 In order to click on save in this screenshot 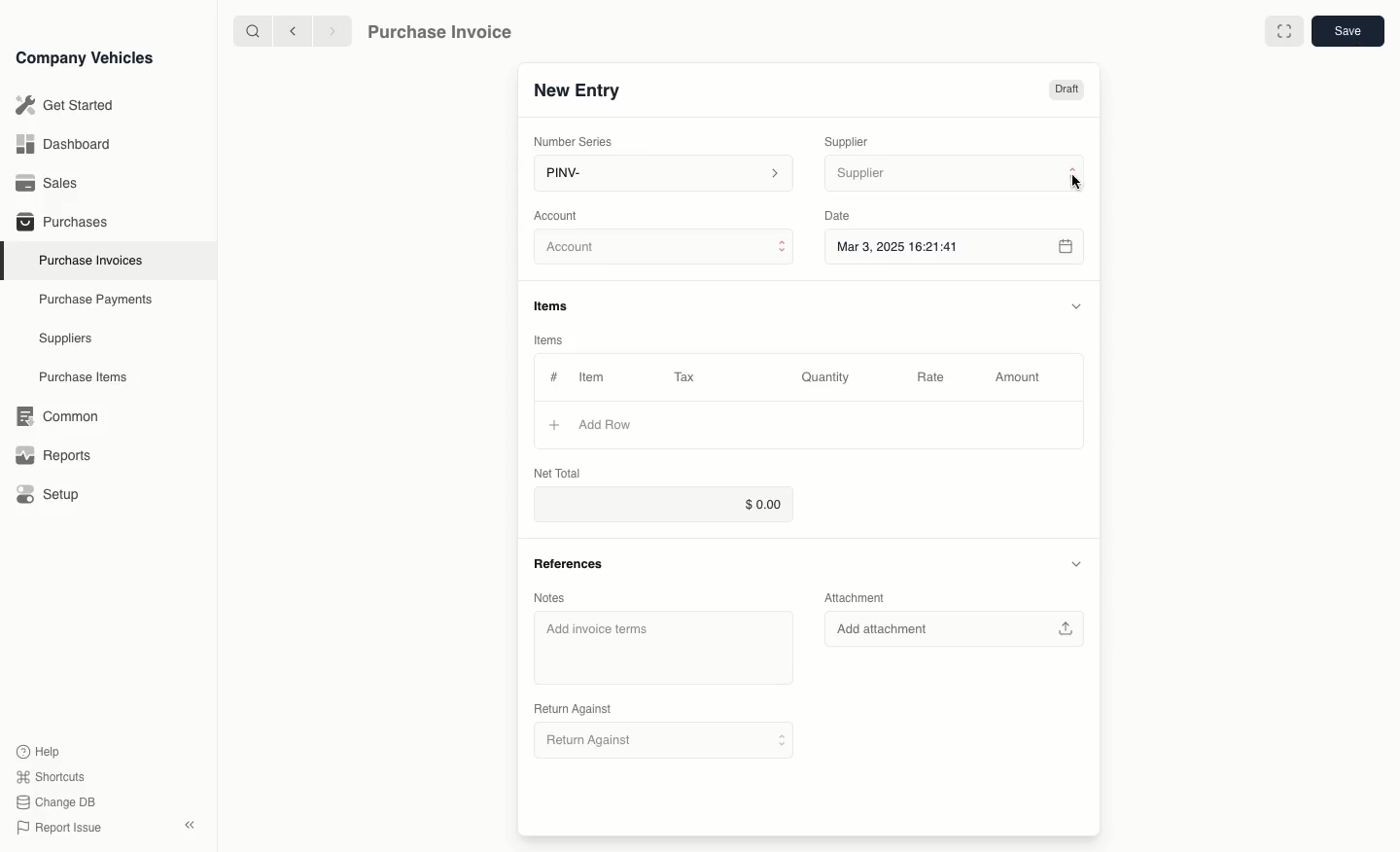, I will do `click(1347, 30)`.